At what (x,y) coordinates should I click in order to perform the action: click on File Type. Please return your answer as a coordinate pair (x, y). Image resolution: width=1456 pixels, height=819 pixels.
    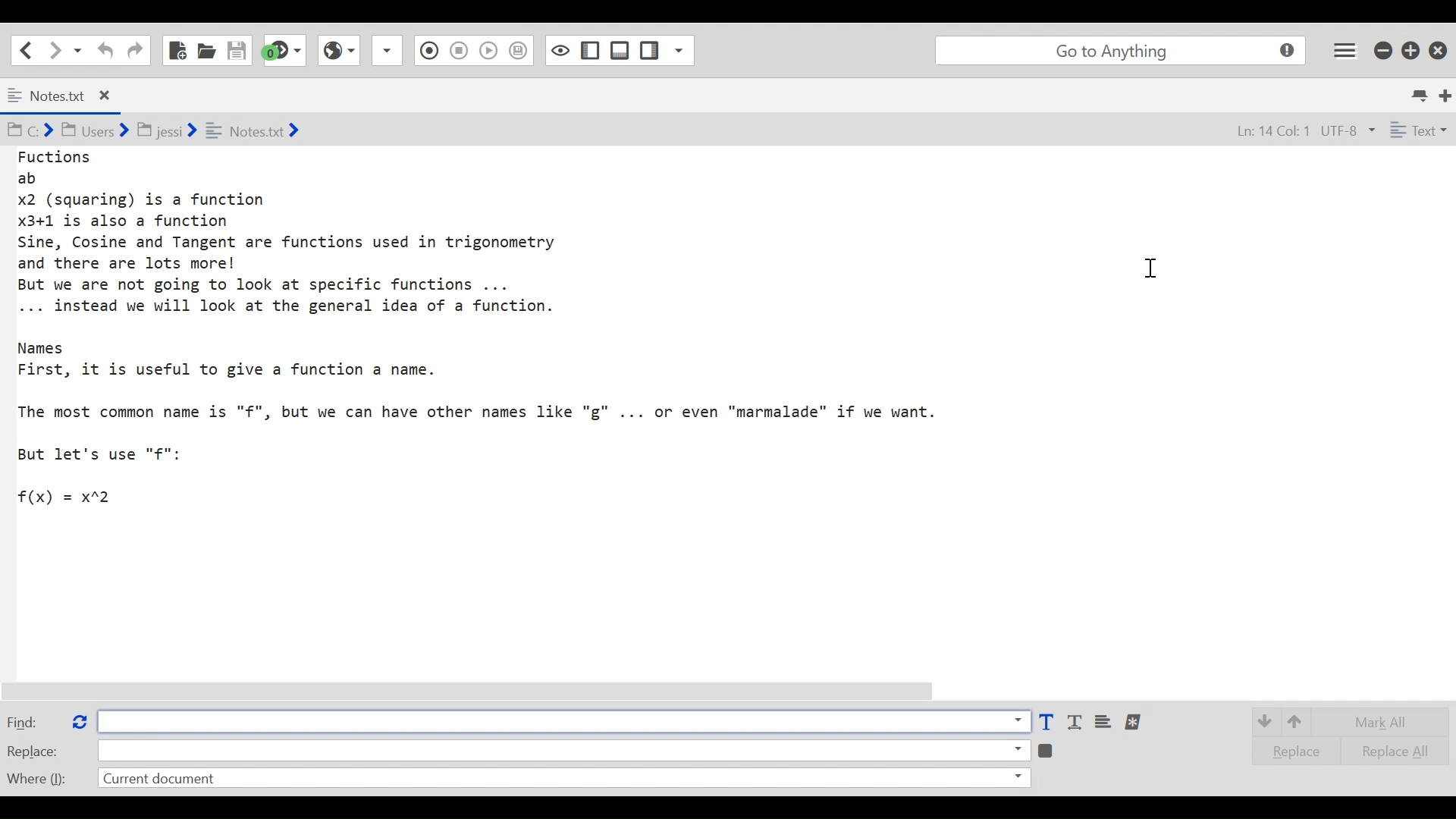
    Looking at the image, I should click on (1417, 133).